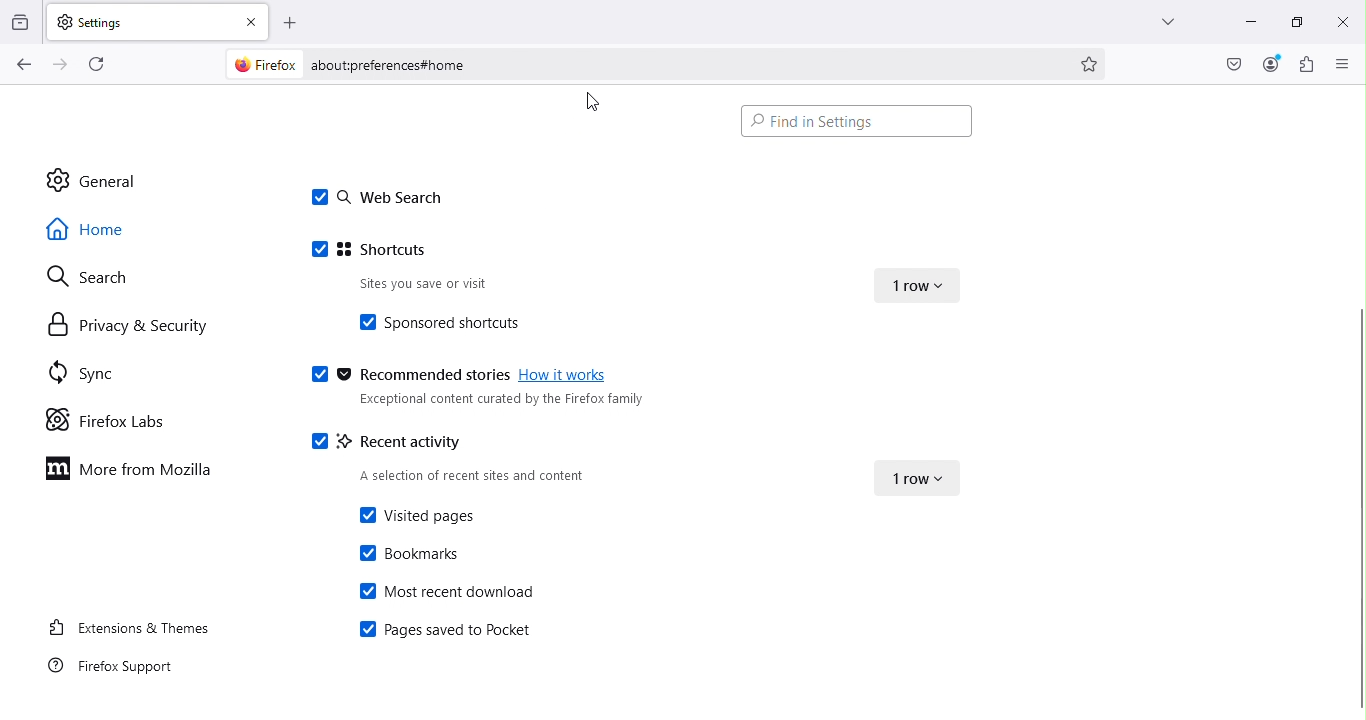 This screenshot has height=720, width=1366. Describe the element at coordinates (461, 321) in the screenshot. I see `Sponsored shortcuts` at that location.